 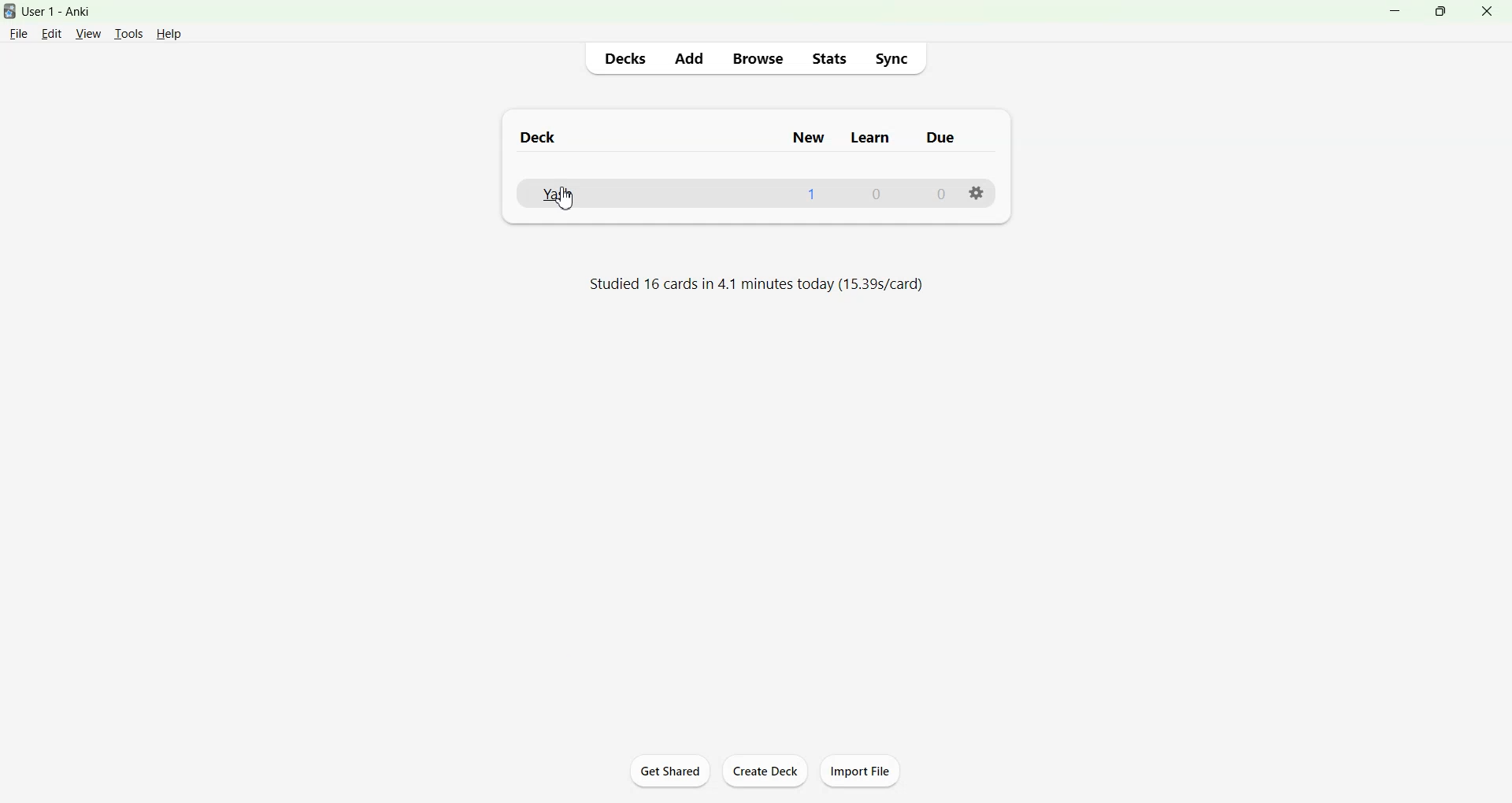 What do you see at coordinates (688, 58) in the screenshot?
I see `Add` at bounding box center [688, 58].